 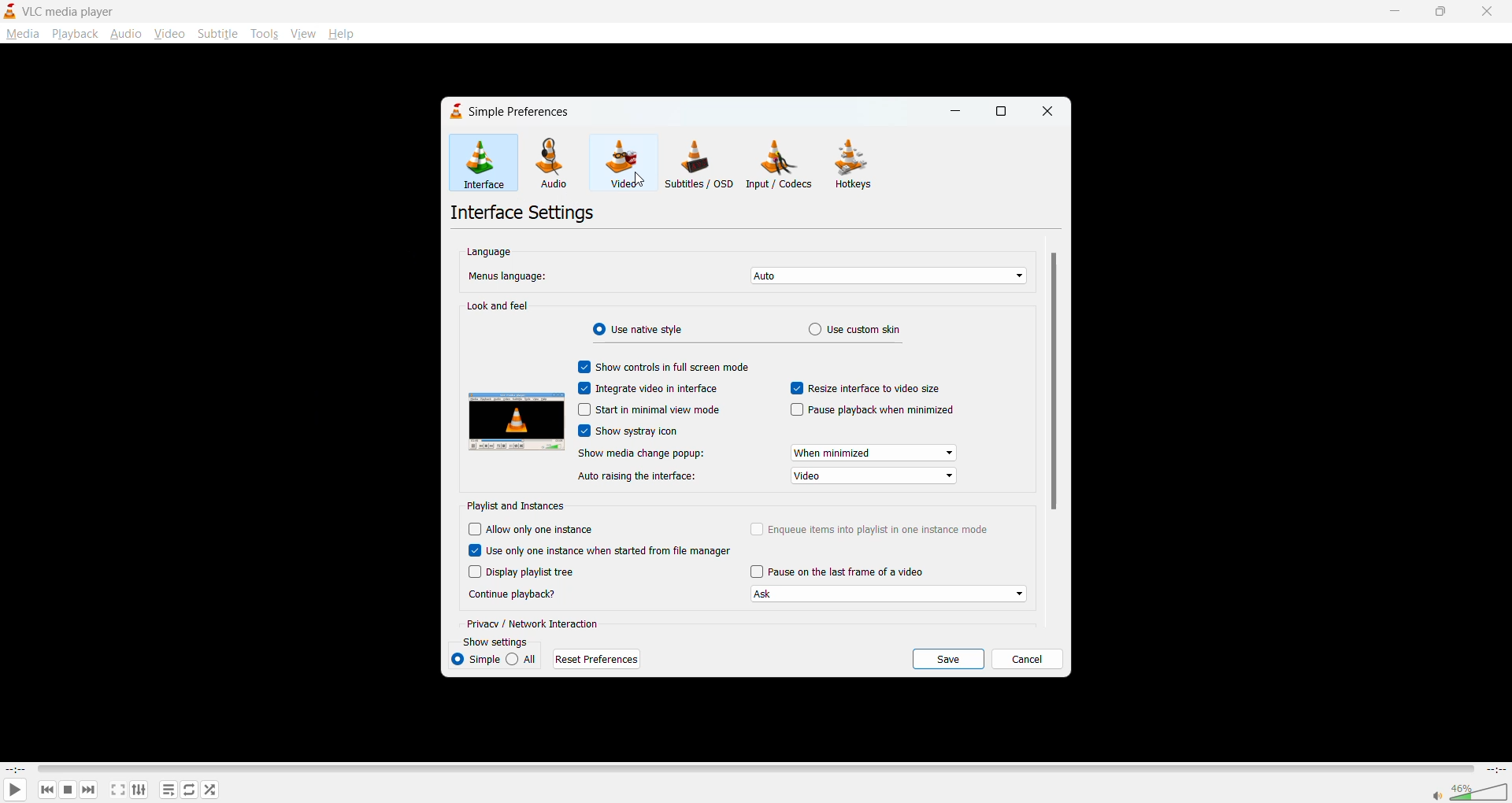 What do you see at coordinates (600, 550) in the screenshot?
I see `use only one instance ` at bounding box center [600, 550].